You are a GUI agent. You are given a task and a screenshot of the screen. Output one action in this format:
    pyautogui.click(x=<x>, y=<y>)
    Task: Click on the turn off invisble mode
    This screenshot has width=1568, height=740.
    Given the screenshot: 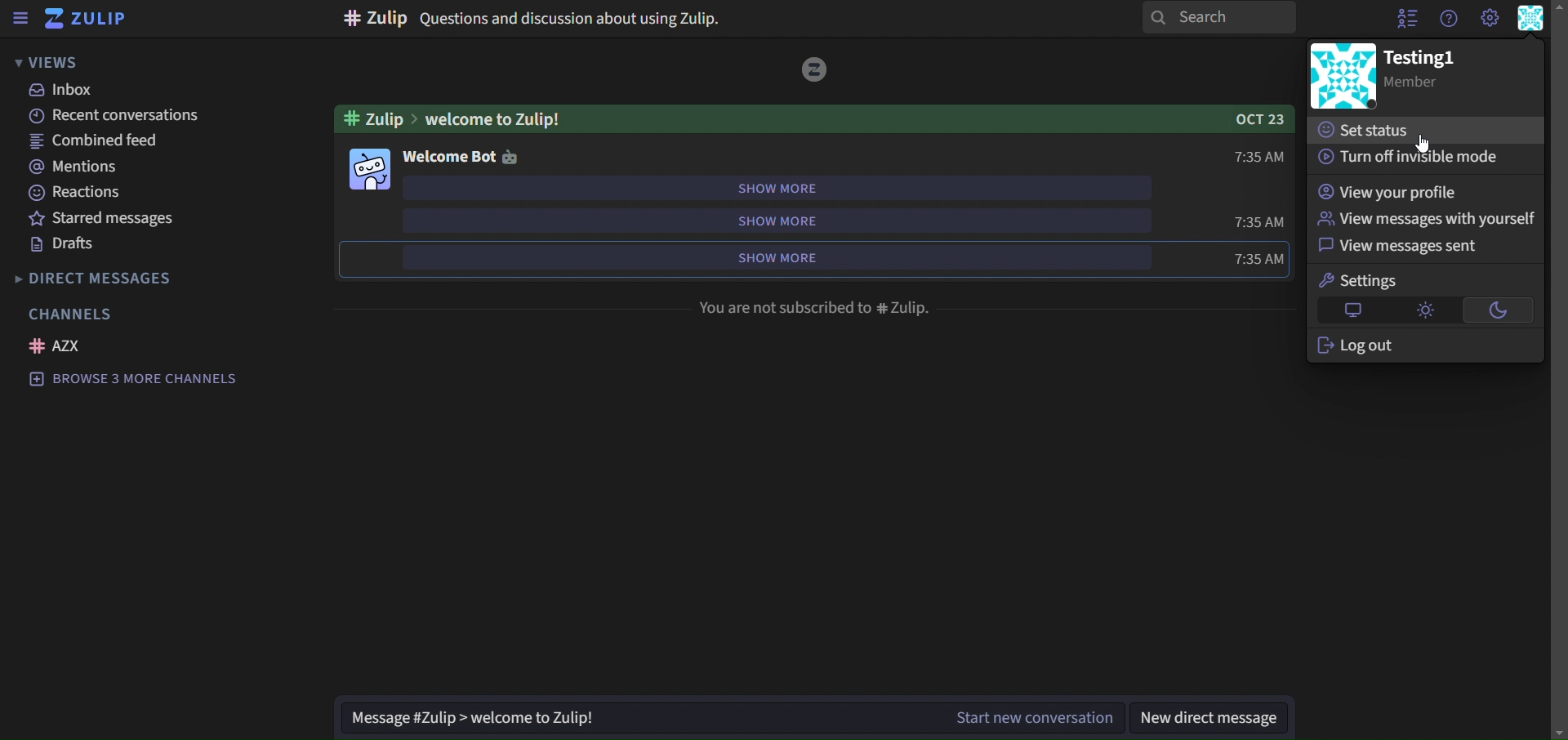 What is the action you would take?
    pyautogui.click(x=1412, y=158)
    